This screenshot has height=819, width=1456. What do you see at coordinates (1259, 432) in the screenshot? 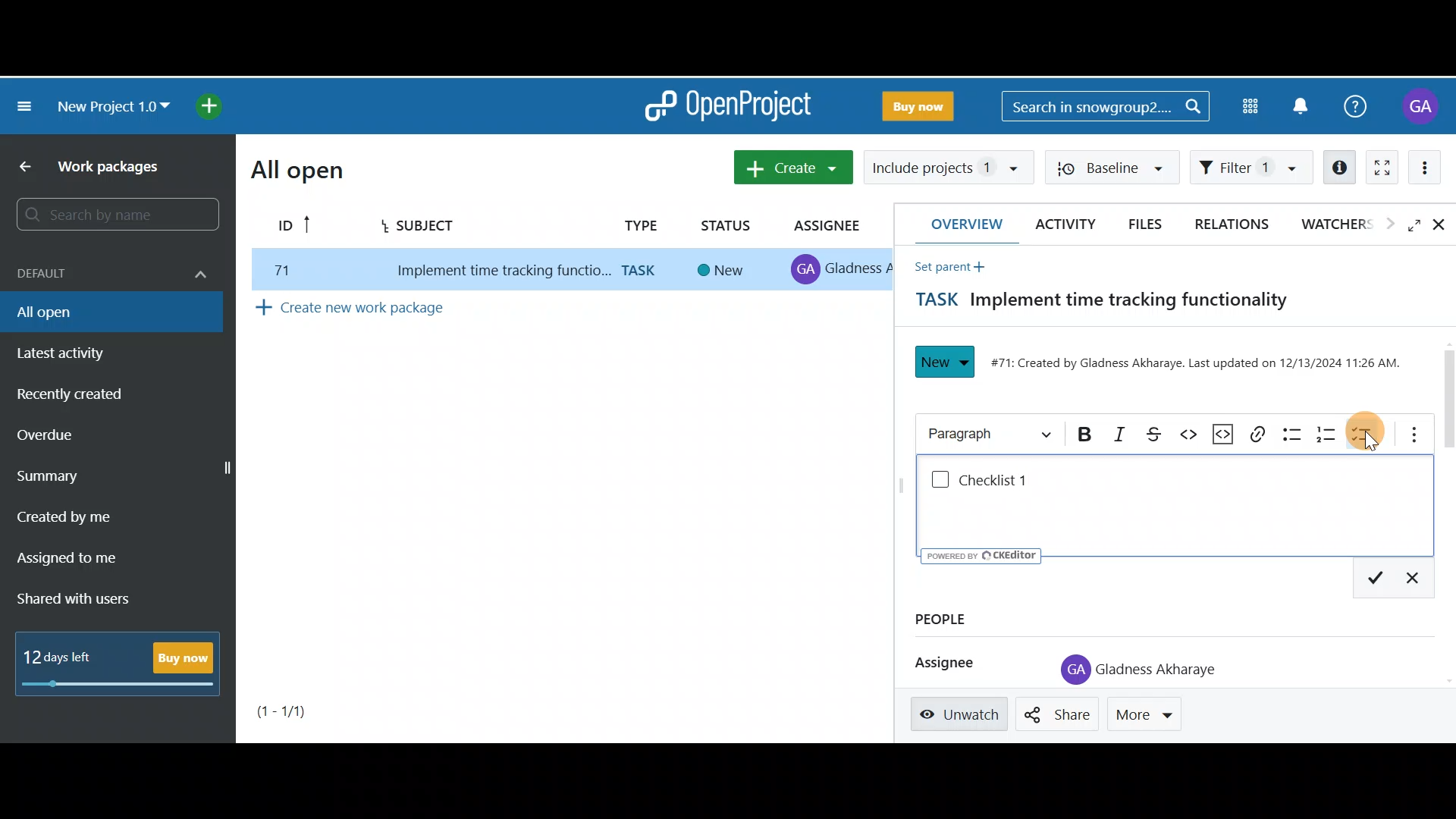
I see `Link` at bounding box center [1259, 432].